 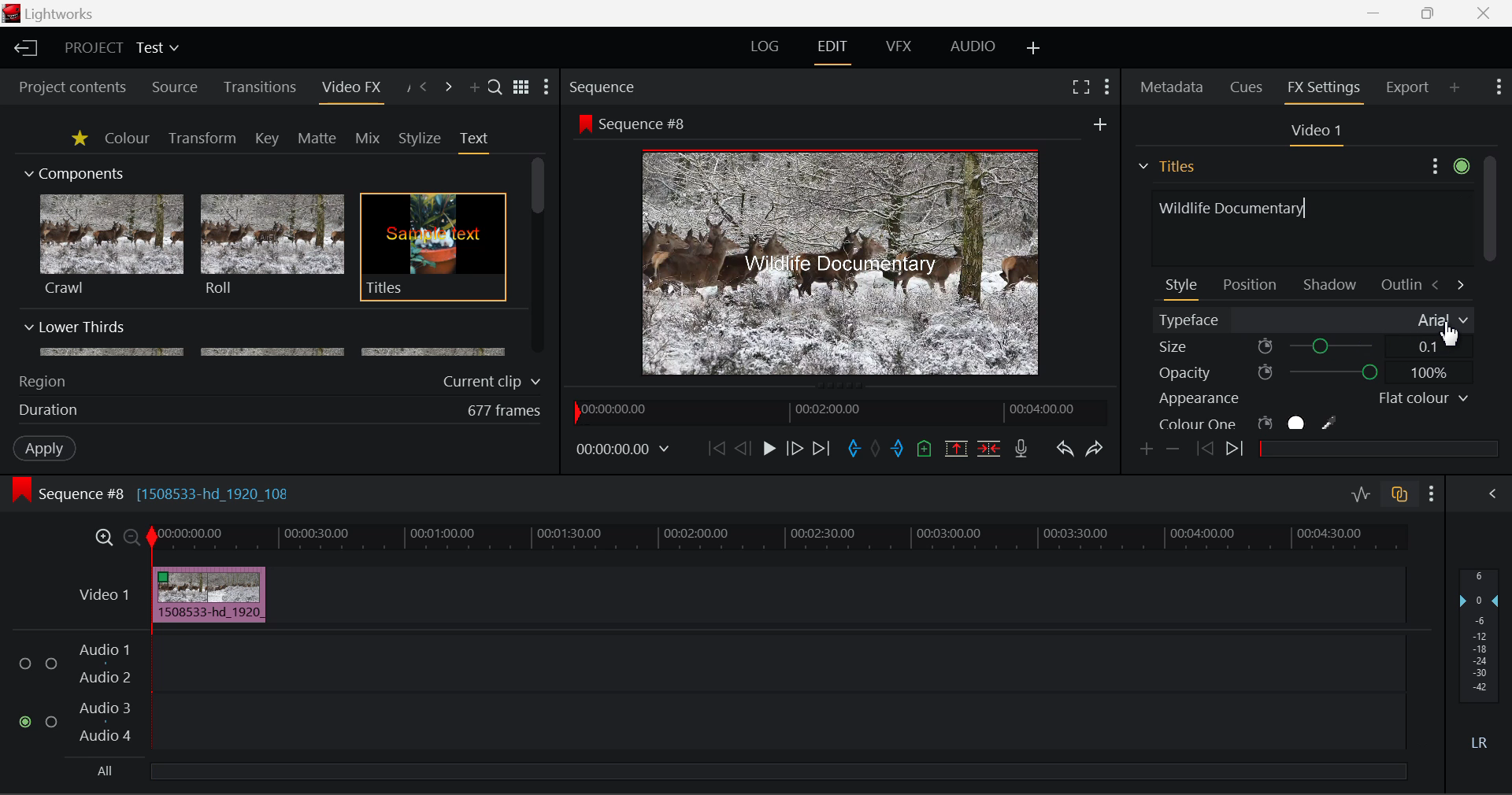 What do you see at coordinates (1312, 398) in the screenshot?
I see `Appearance` at bounding box center [1312, 398].